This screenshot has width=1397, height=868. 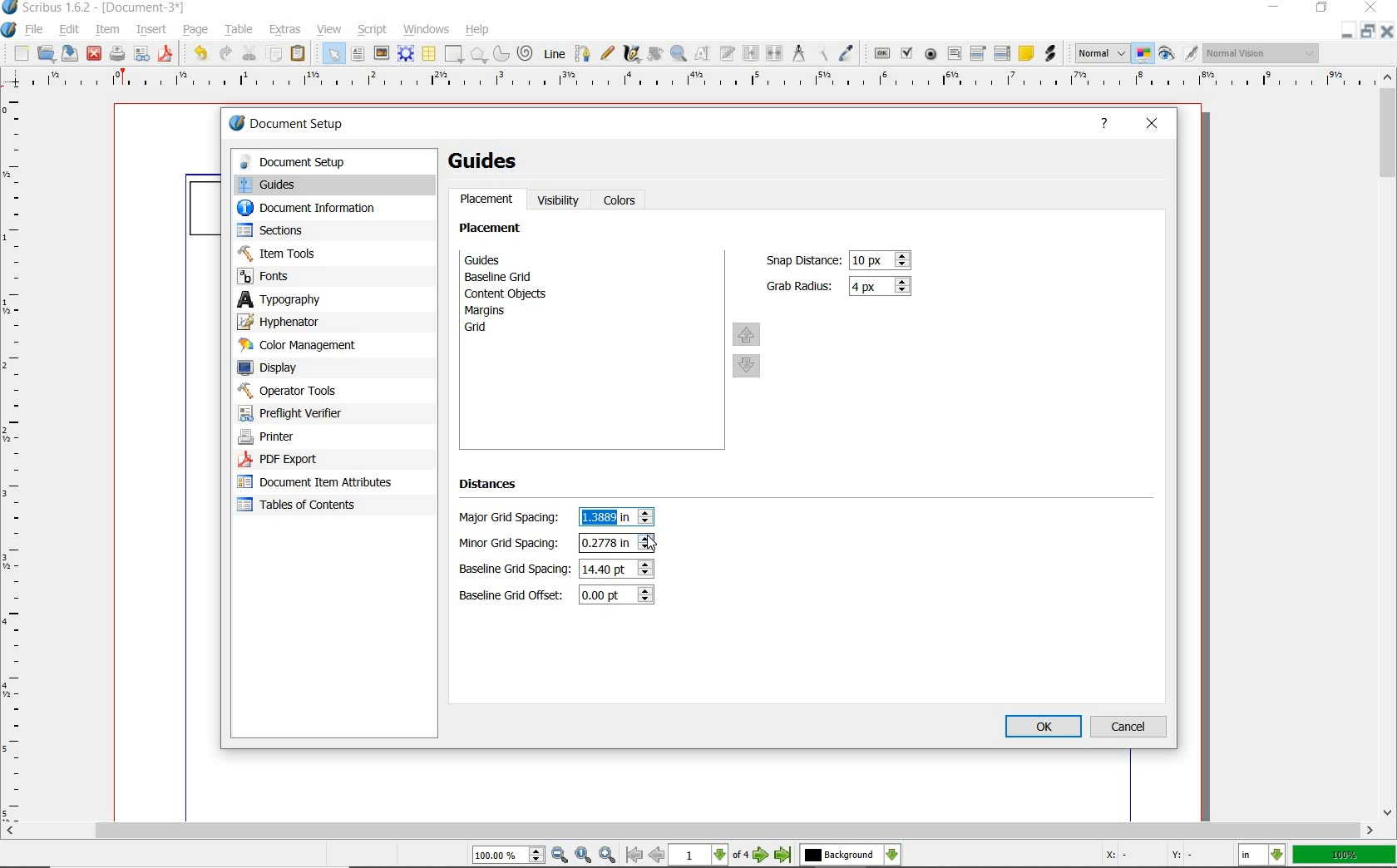 I want to click on pdf radio button, so click(x=932, y=54).